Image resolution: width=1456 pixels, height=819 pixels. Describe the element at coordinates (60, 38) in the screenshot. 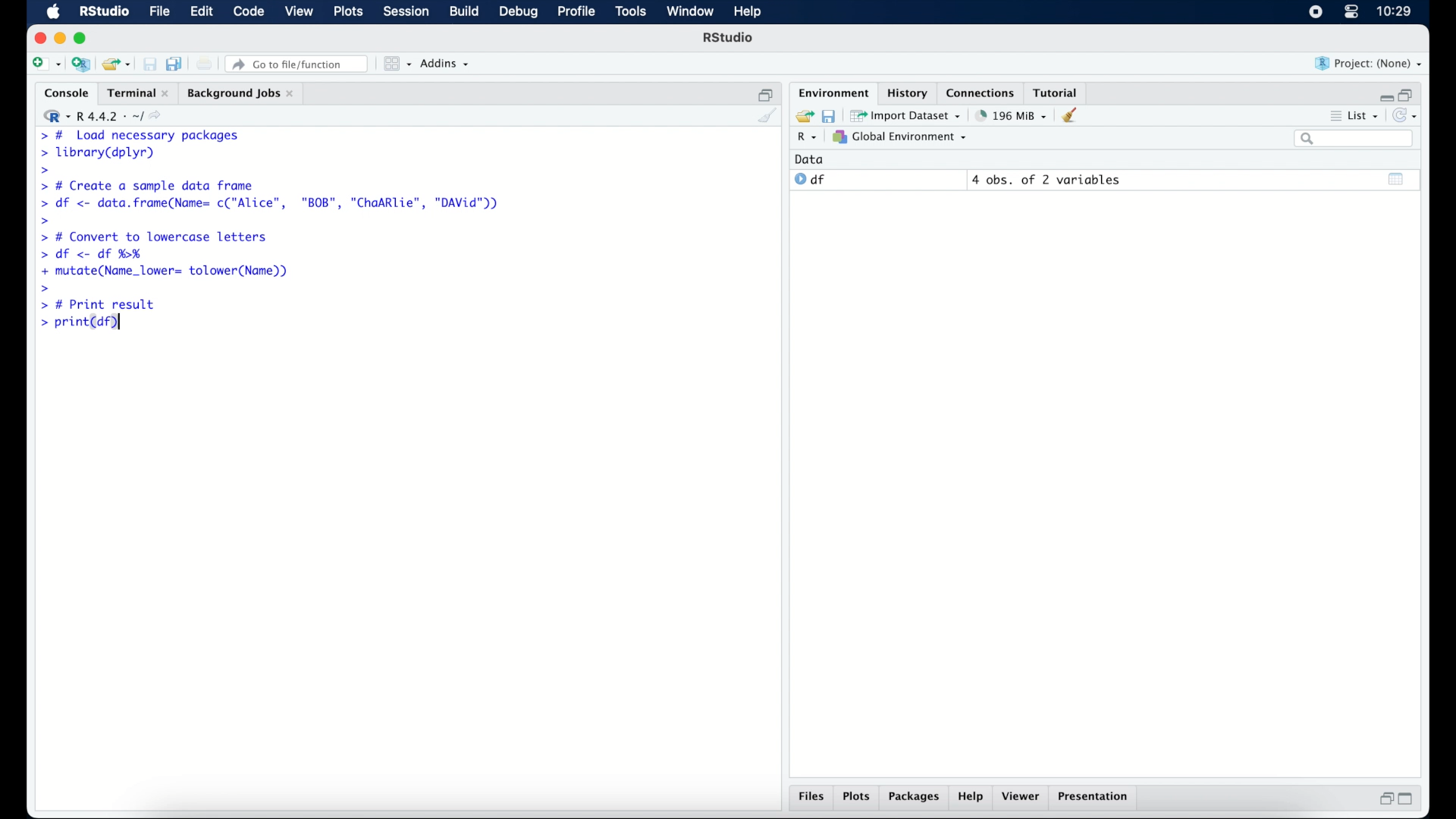

I see `minimize` at that location.